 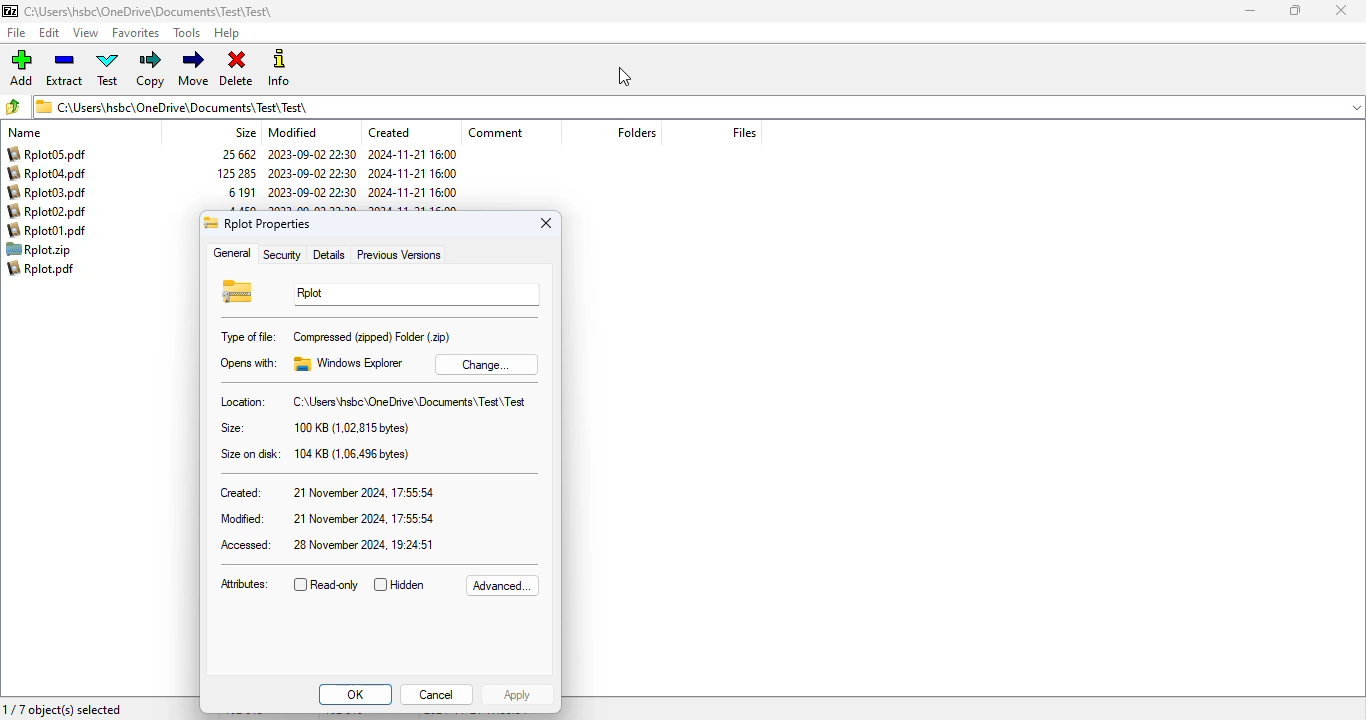 I want to click on location, so click(x=242, y=402).